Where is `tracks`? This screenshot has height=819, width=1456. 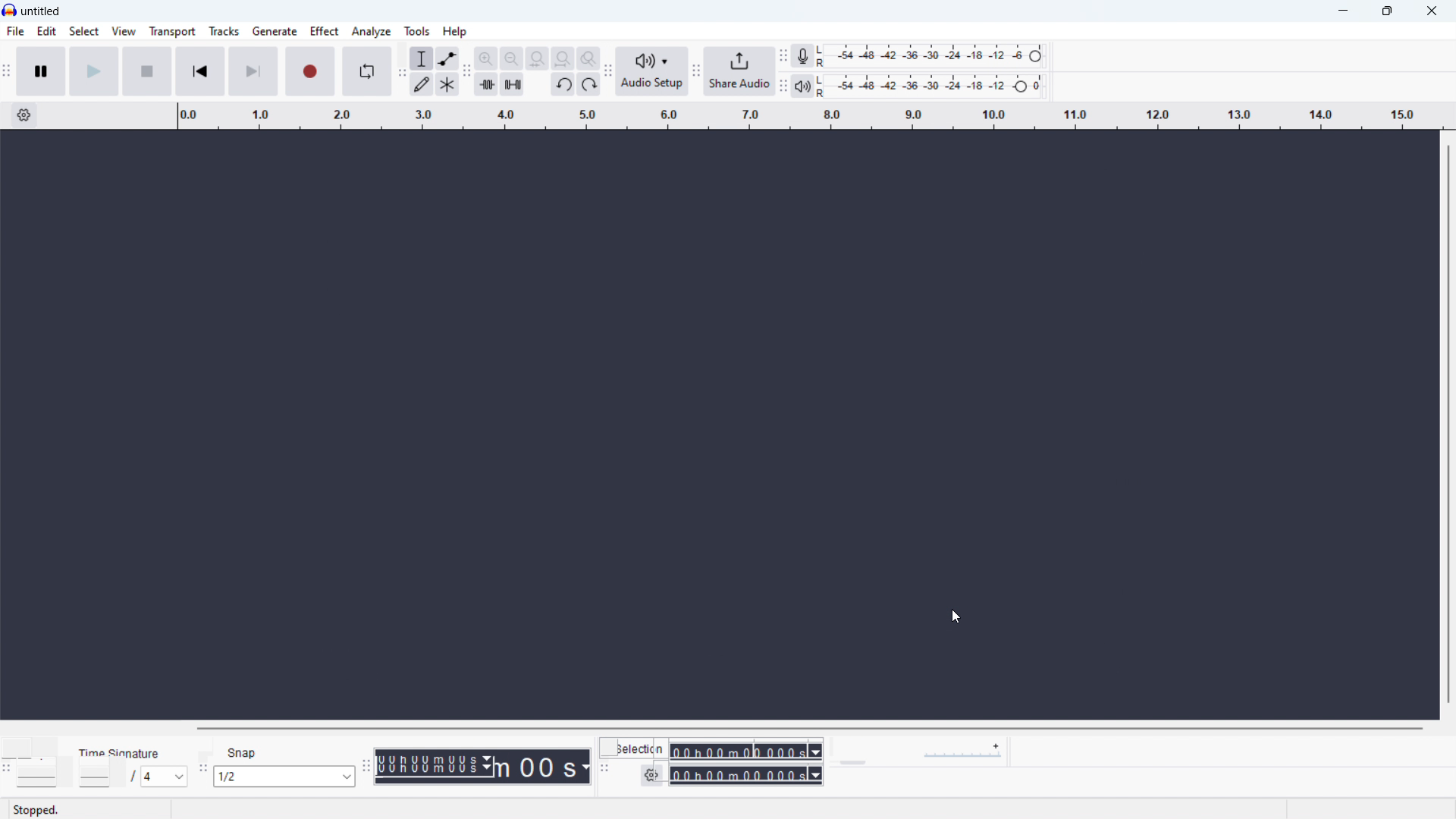 tracks is located at coordinates (224, 31).